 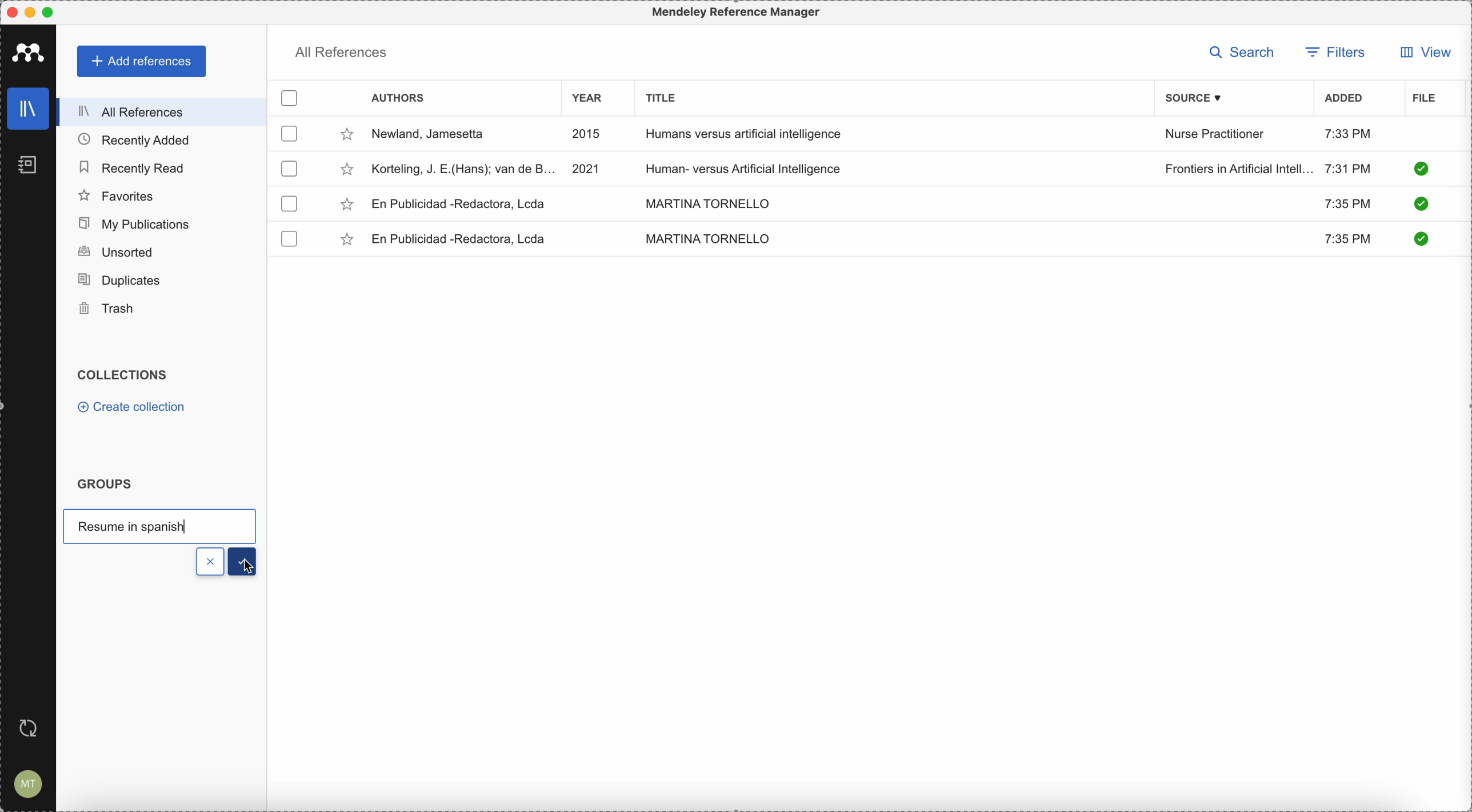 What do you see at coordinates (745, 135) in the screenshot?
I see `Humans versus artificial intelligence` at bounding box center [745, 135].